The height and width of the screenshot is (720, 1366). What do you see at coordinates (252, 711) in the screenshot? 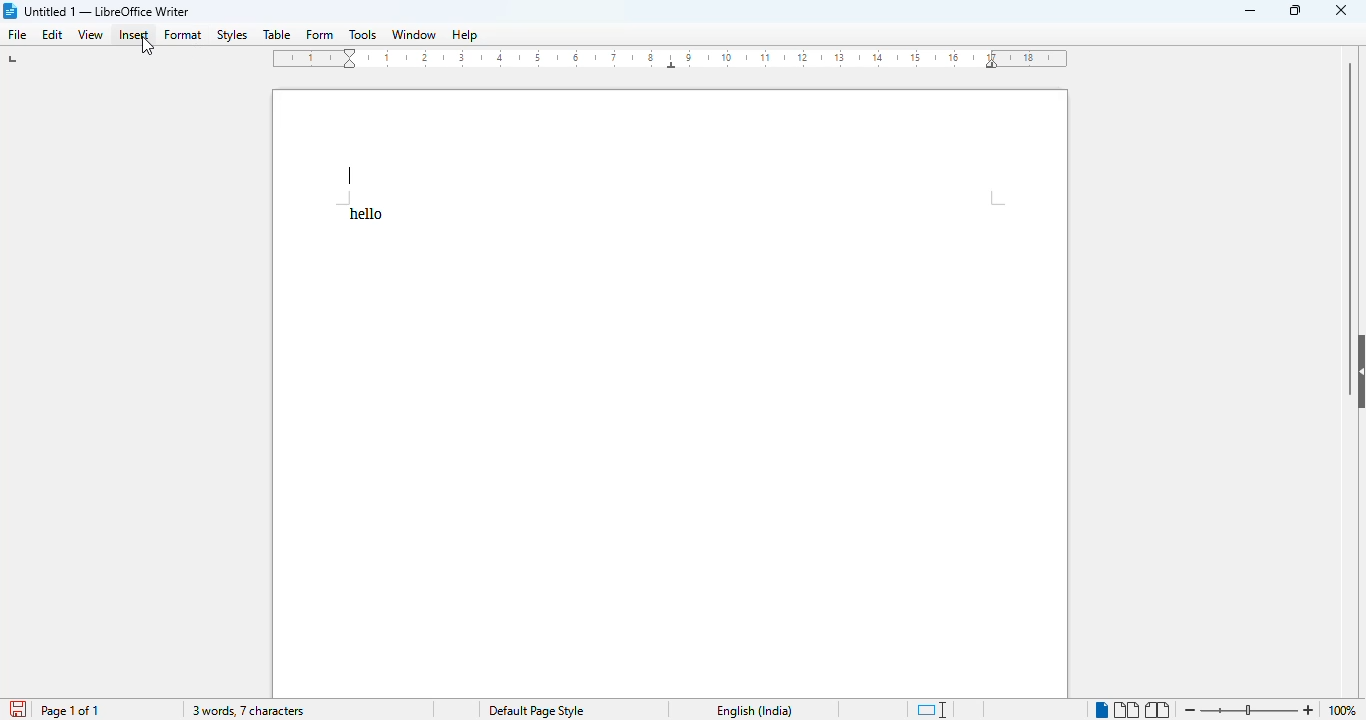
I see `3 words, 7 characters` at bounding box center [252, 711].